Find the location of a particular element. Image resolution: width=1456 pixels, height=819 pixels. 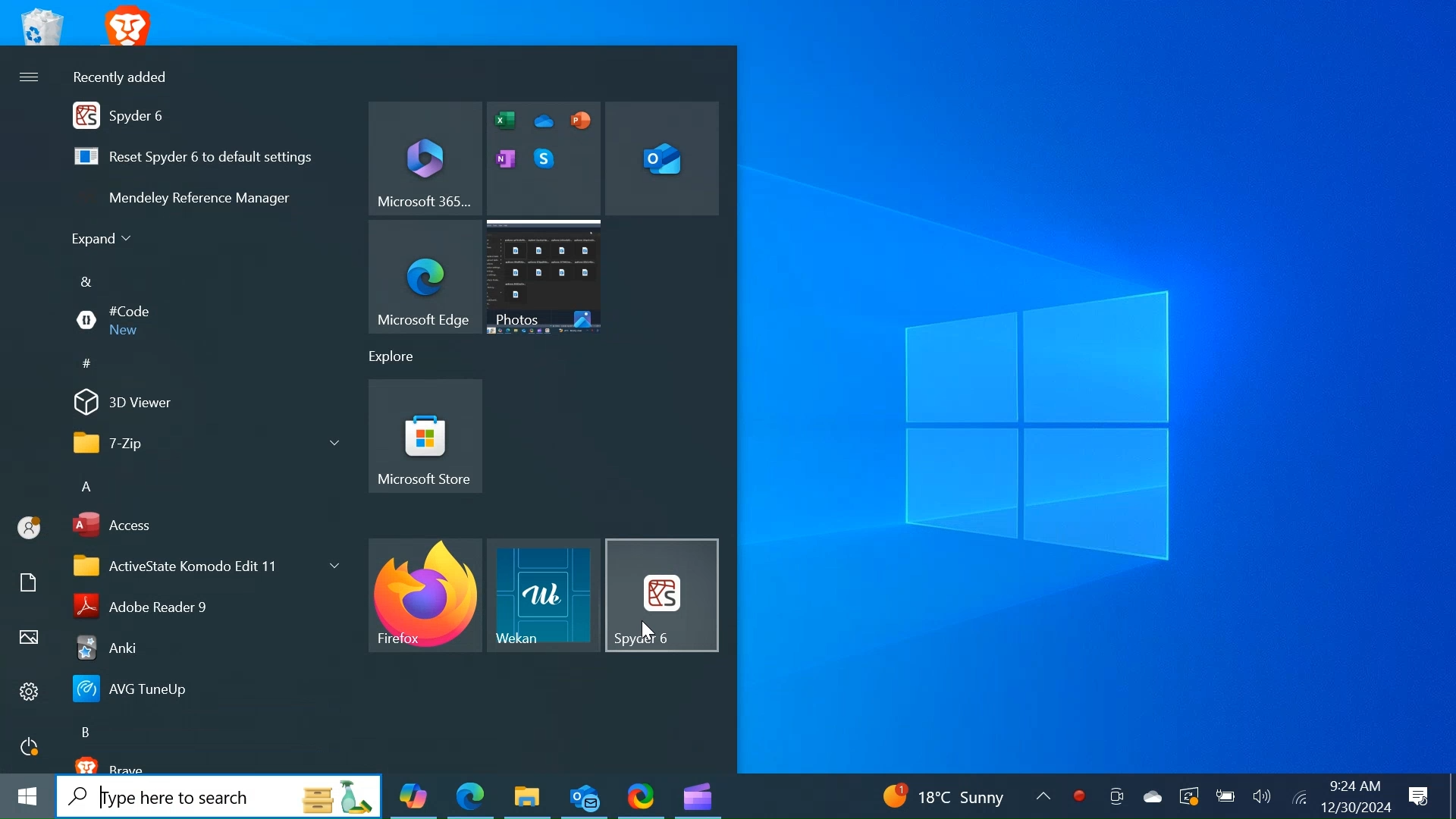

Outlook is located at coordinates (585, 797).